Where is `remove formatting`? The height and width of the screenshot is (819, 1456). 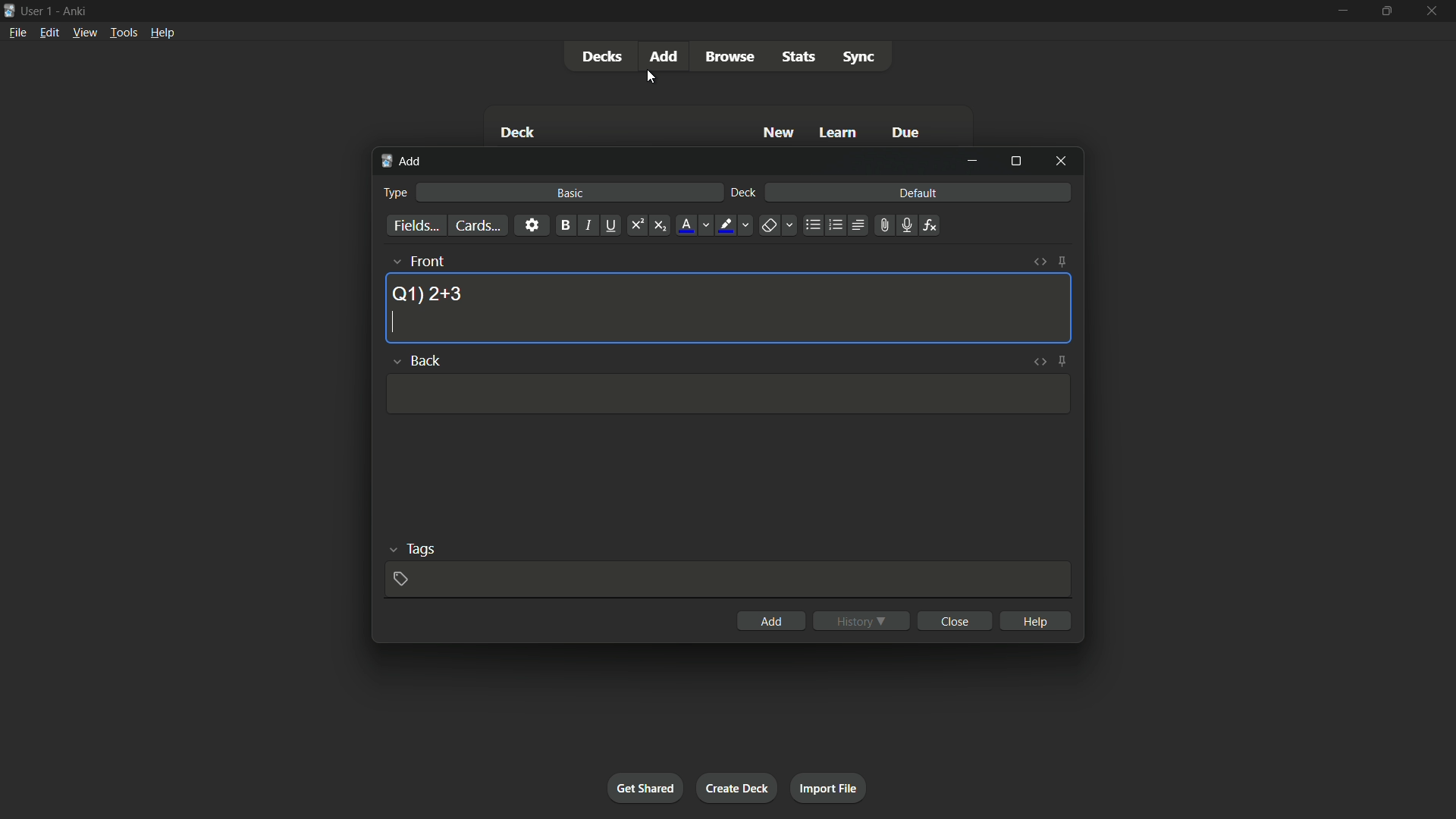
remove formatting is located at coordinates (769, 227).